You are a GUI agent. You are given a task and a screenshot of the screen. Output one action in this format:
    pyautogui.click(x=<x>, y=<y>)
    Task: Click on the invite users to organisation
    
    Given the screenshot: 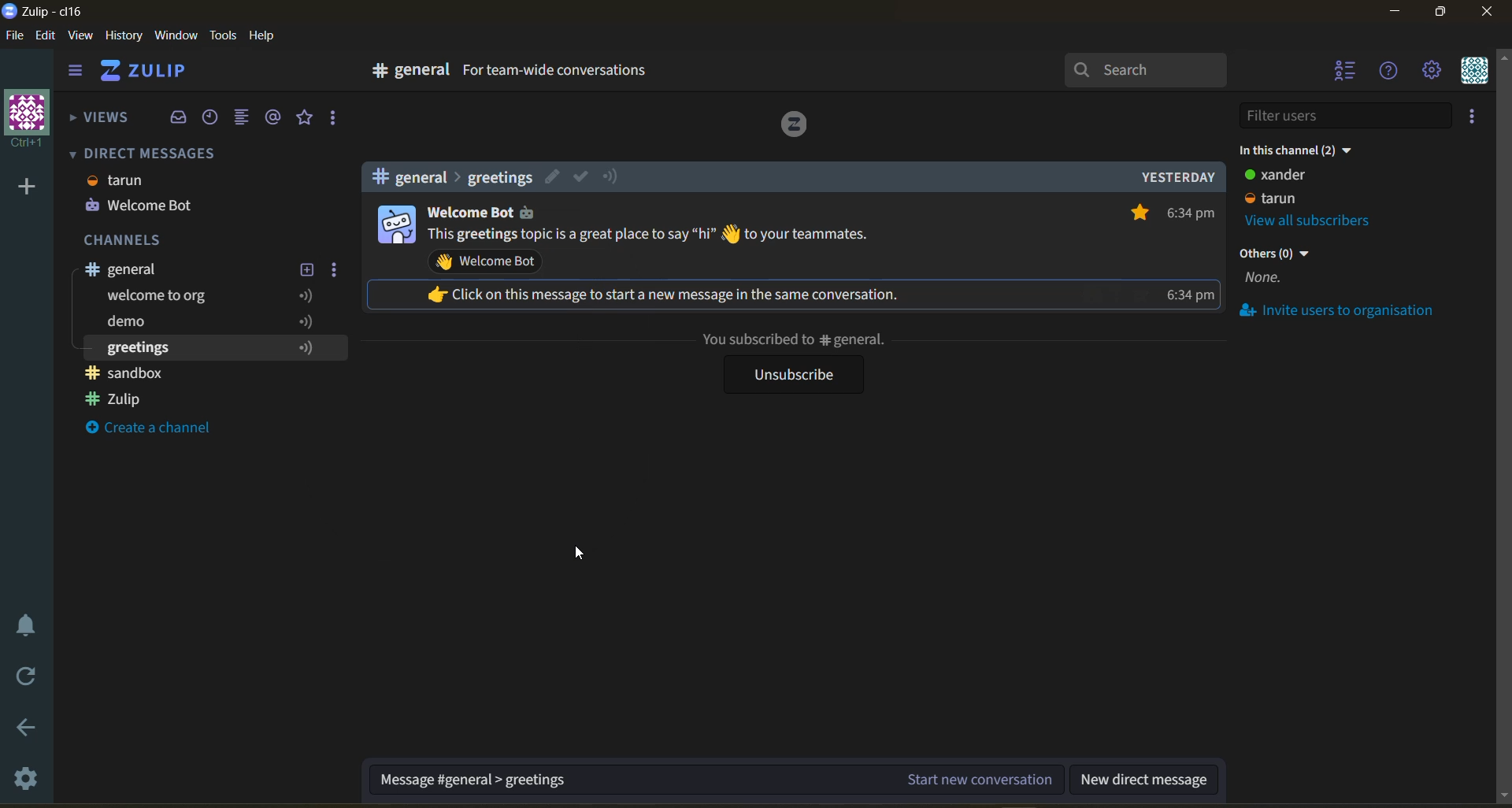 What is the action you would take?
    pyautogui.click(x=1478, y=116)
    